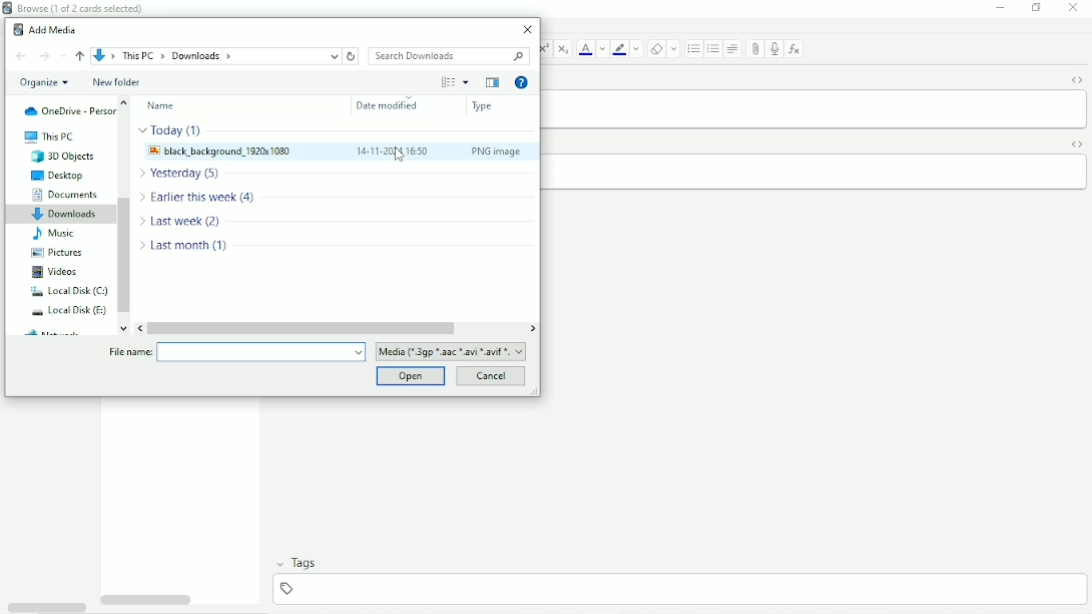  I want to click on Horizontal scrollbar, so click(302, 328).